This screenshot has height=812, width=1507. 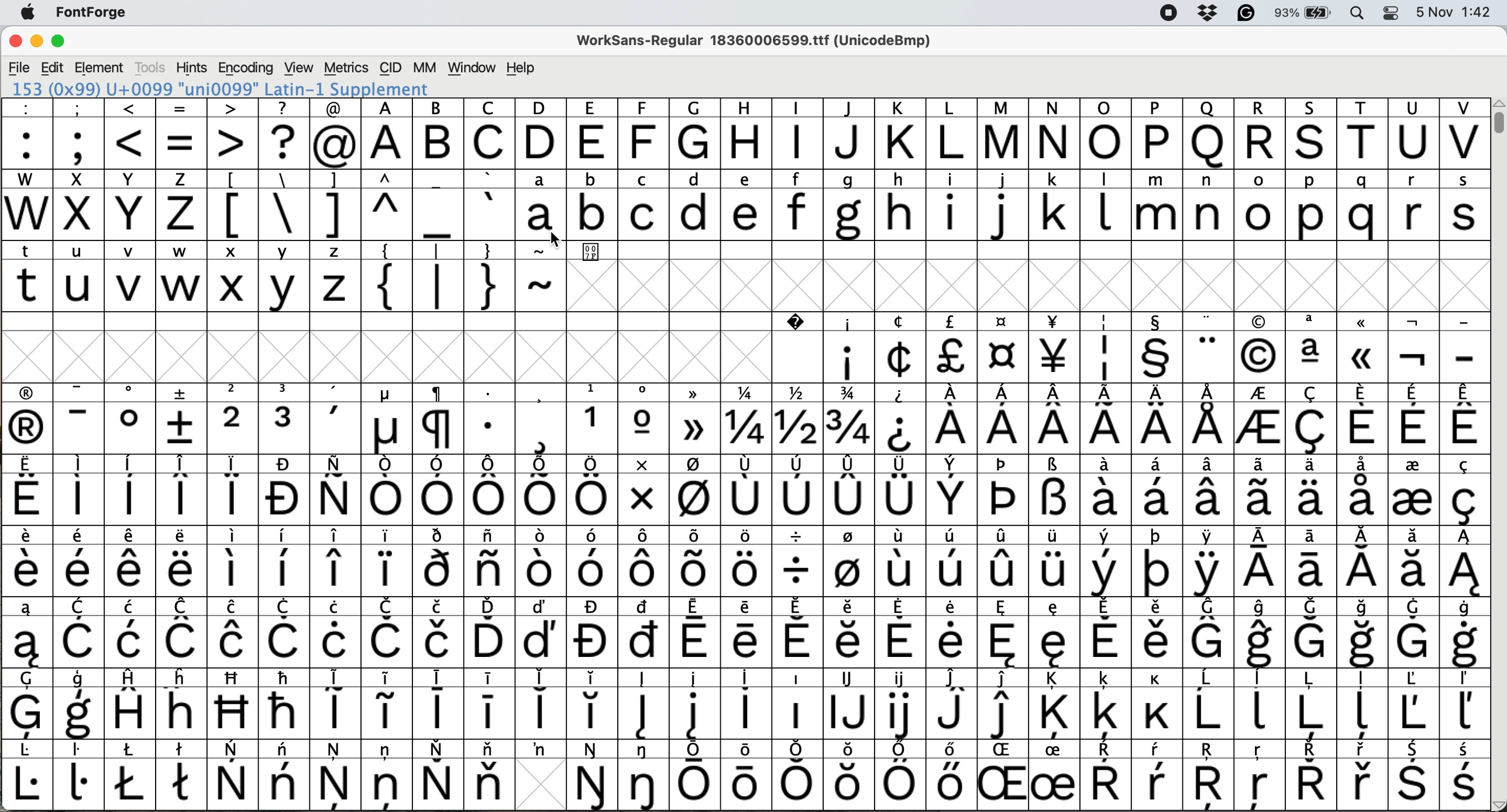 What do you see at coordinates (748, 704) in the screenshot?
I see `symbol` at bounding box center [748, 704].